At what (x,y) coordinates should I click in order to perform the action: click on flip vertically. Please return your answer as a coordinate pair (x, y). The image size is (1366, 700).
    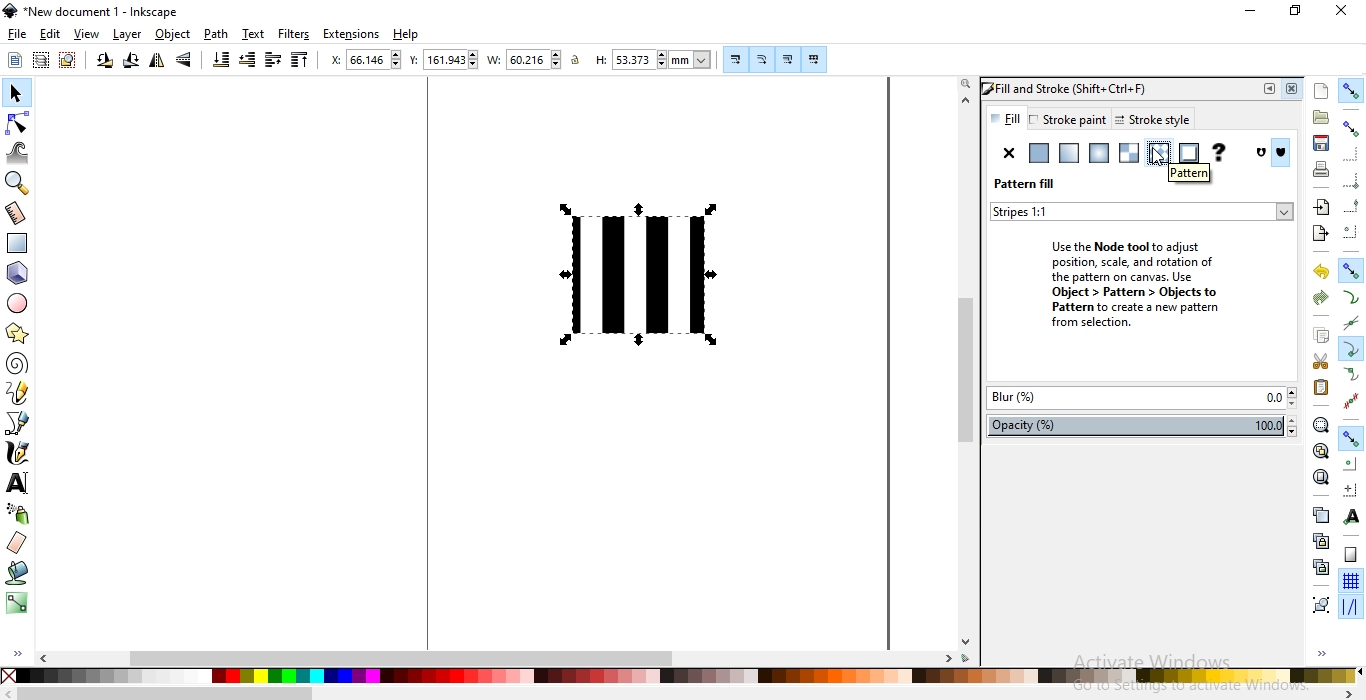
    Looking at the image, I should click on (186, 61).